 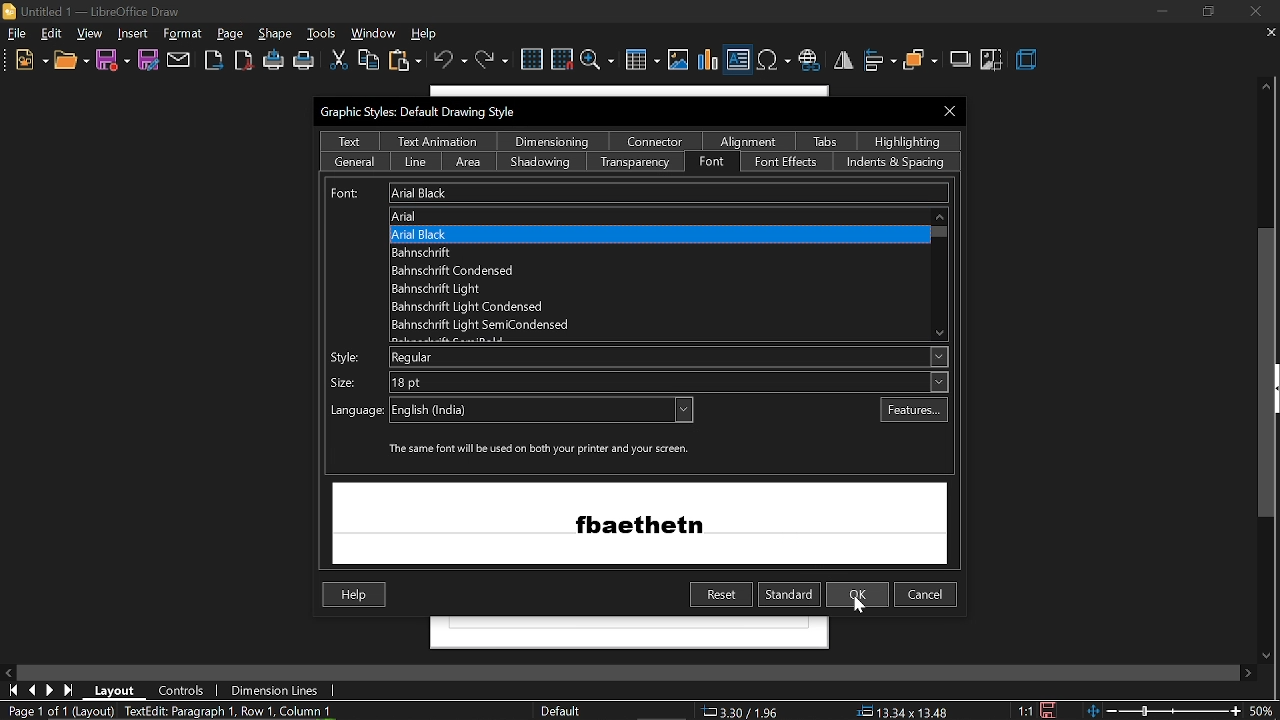 I want to click on redo, so click(x=491, y=60).